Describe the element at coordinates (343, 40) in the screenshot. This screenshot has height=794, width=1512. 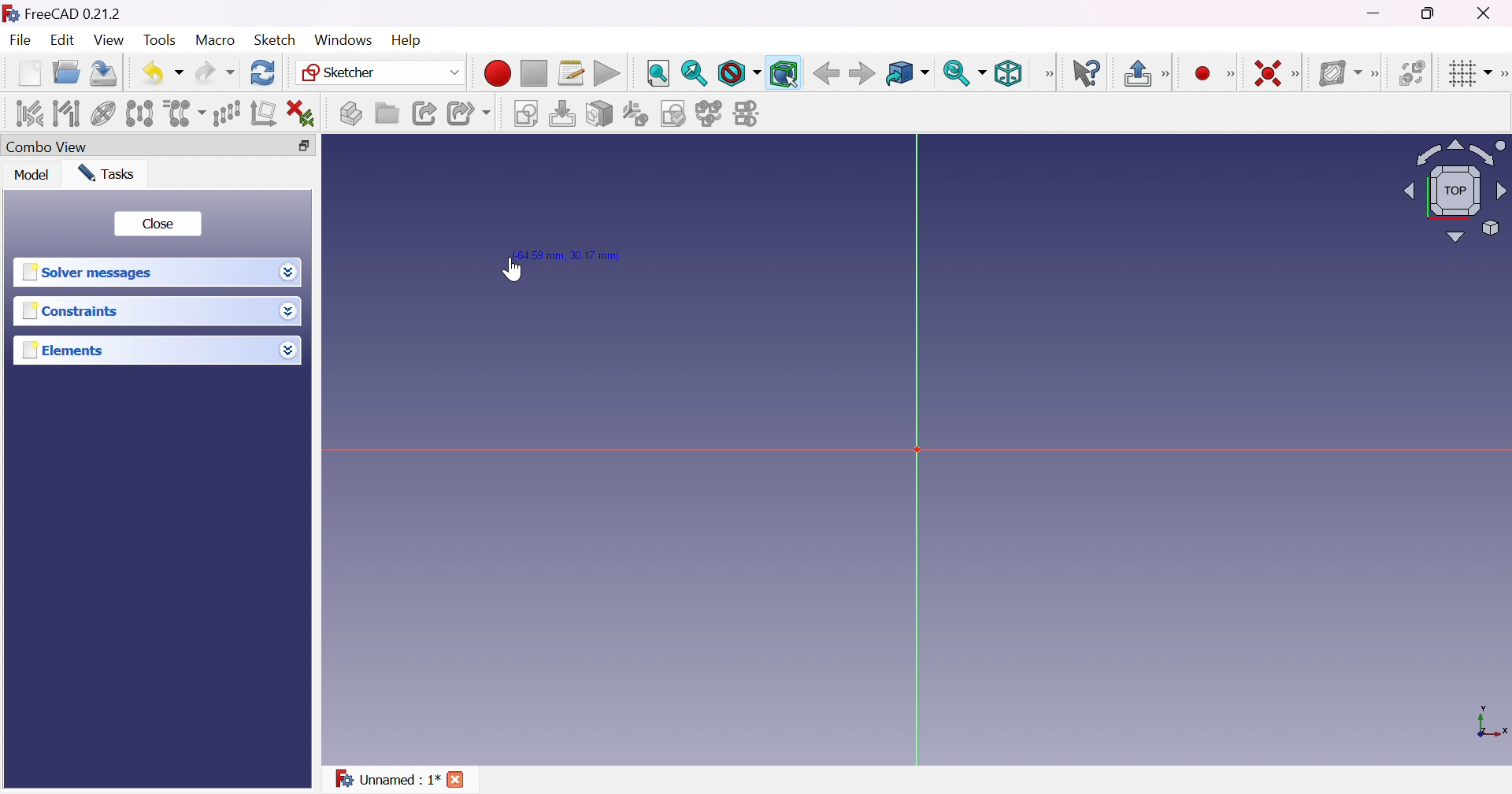
I see `Windows` at that location.